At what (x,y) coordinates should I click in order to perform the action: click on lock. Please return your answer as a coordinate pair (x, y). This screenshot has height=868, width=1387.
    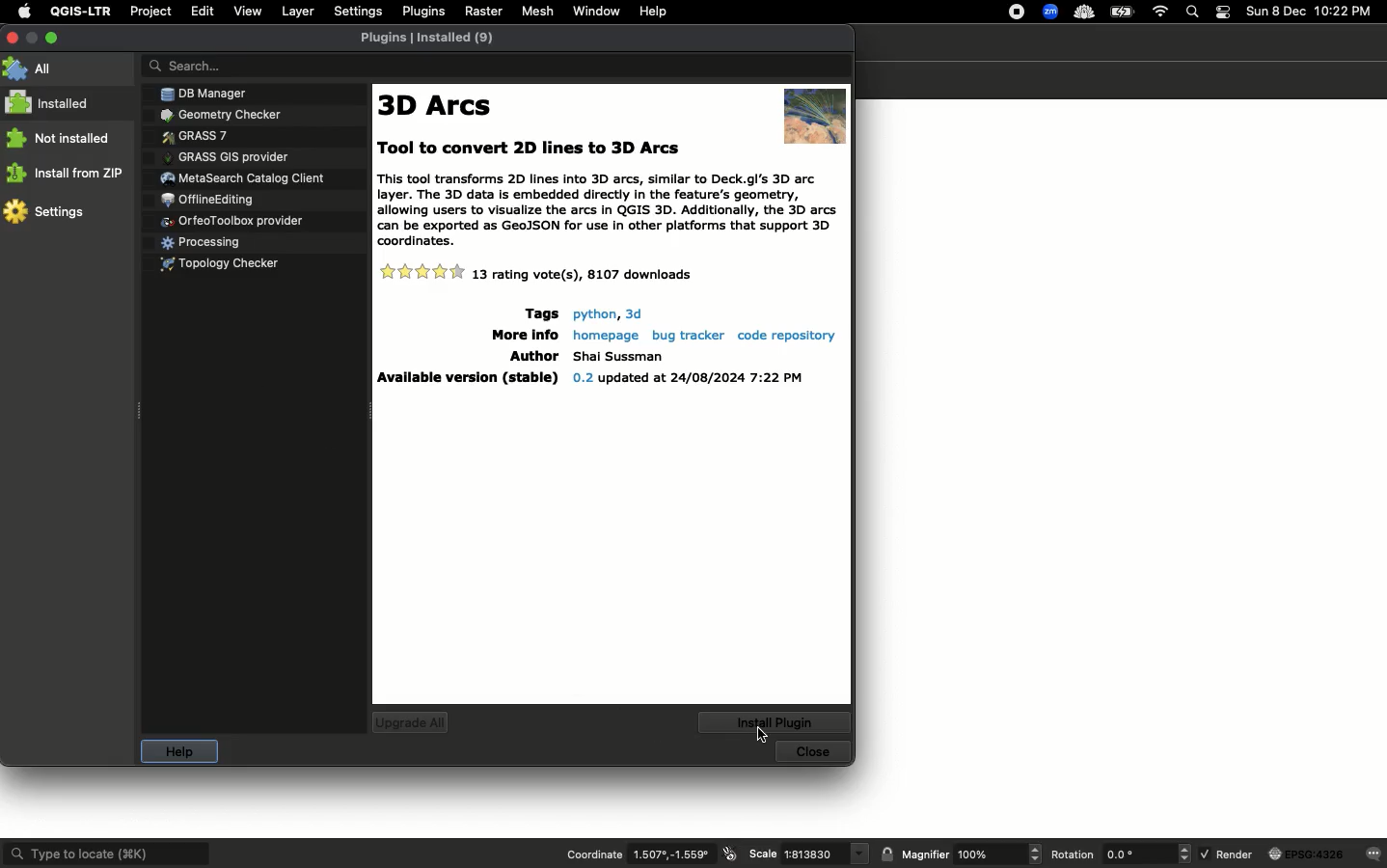
    Looking at the image, I should click on (887, 854).